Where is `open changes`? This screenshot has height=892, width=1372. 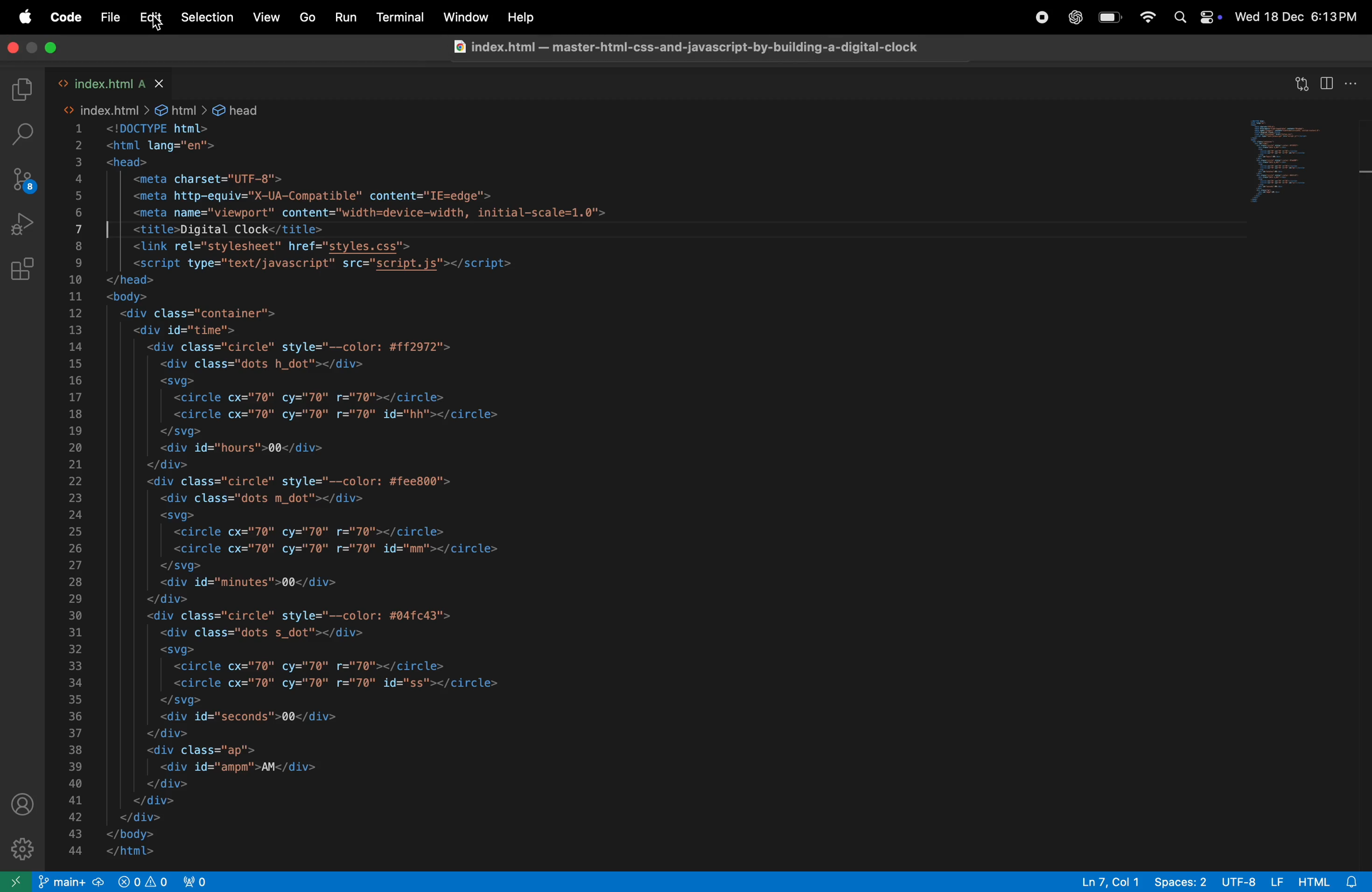 open changes is located at coordinates (1304, 80).